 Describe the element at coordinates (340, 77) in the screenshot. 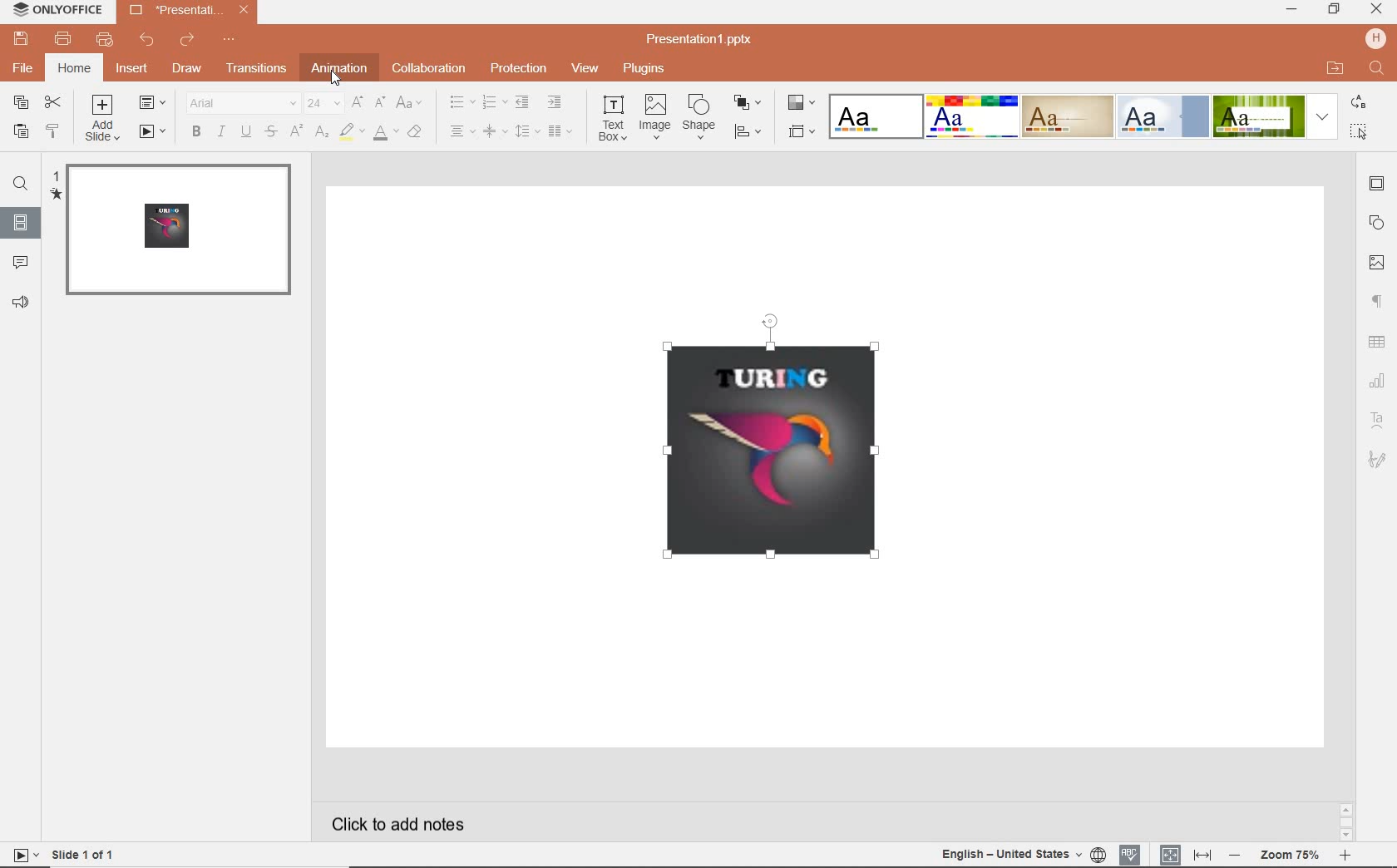

I see `cursor` at that location.